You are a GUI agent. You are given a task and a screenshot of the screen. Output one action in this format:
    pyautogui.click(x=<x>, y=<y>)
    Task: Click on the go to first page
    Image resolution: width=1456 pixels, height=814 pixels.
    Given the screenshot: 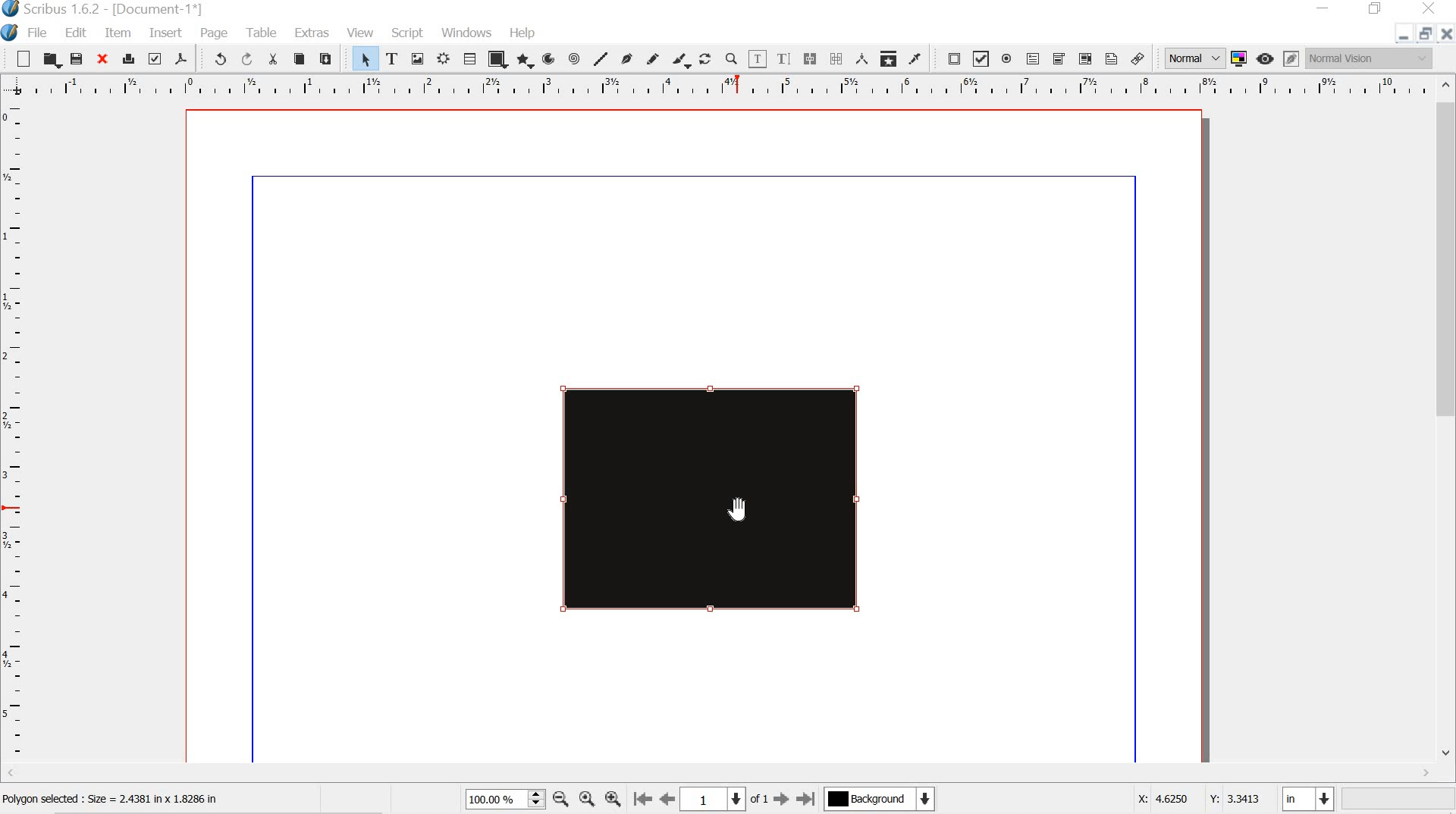 What is the action you would take?
    pyautogui.click(x=642, y=800)
    